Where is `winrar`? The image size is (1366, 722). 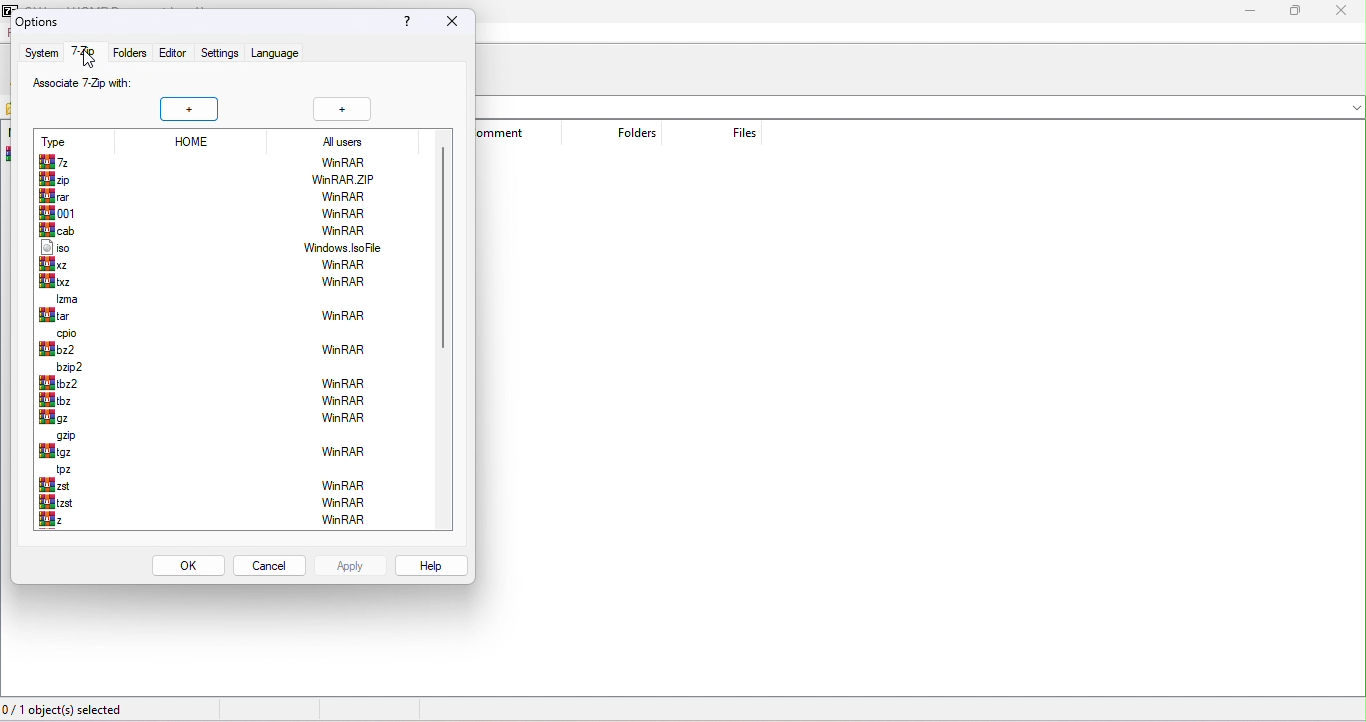
winrar is located at coordinates (351, 384).